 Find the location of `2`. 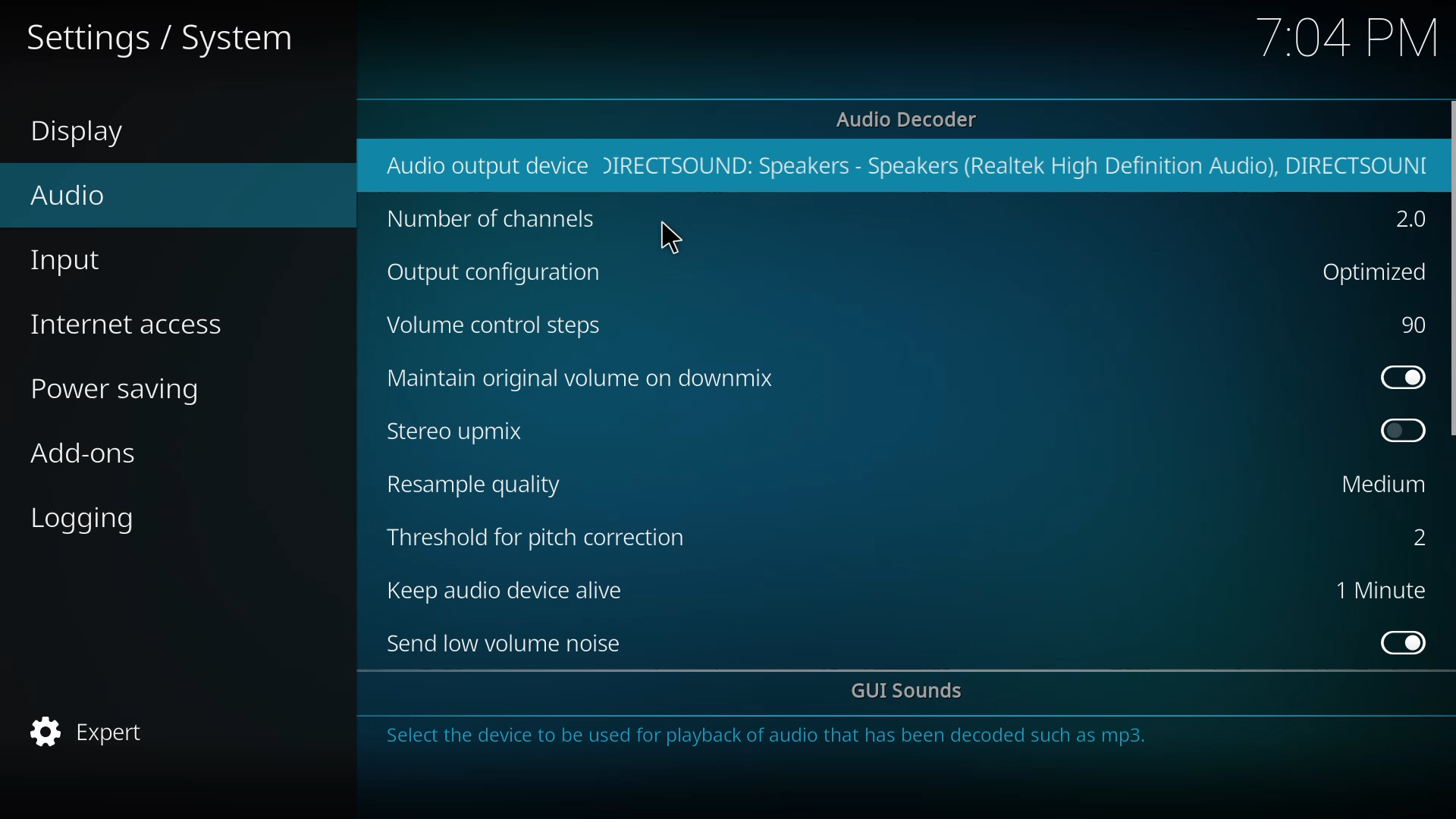

2 is located at coordinates (1409, 537).